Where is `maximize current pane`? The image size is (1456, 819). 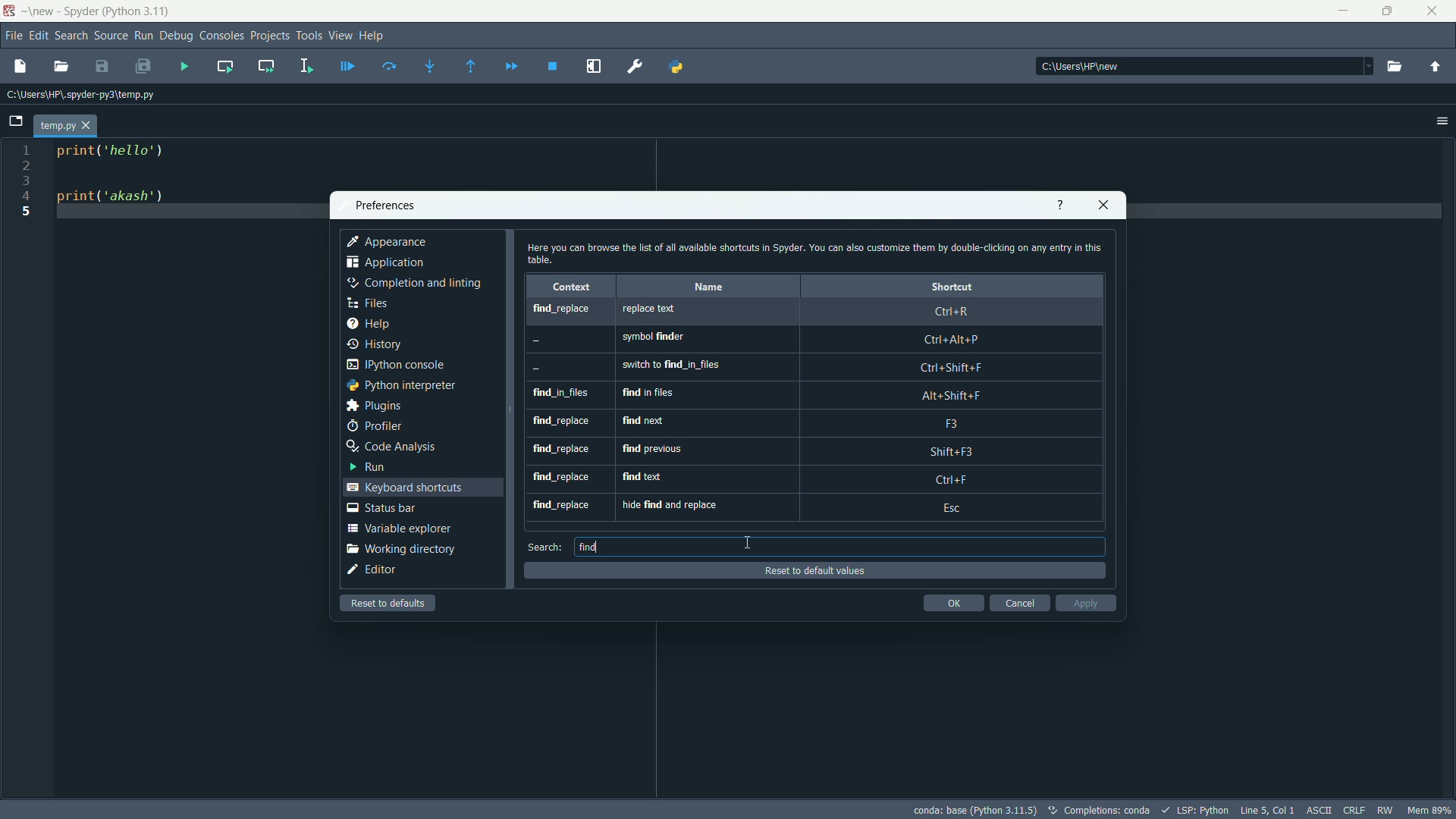
maximize current pane is located at coordinates (598, 67).